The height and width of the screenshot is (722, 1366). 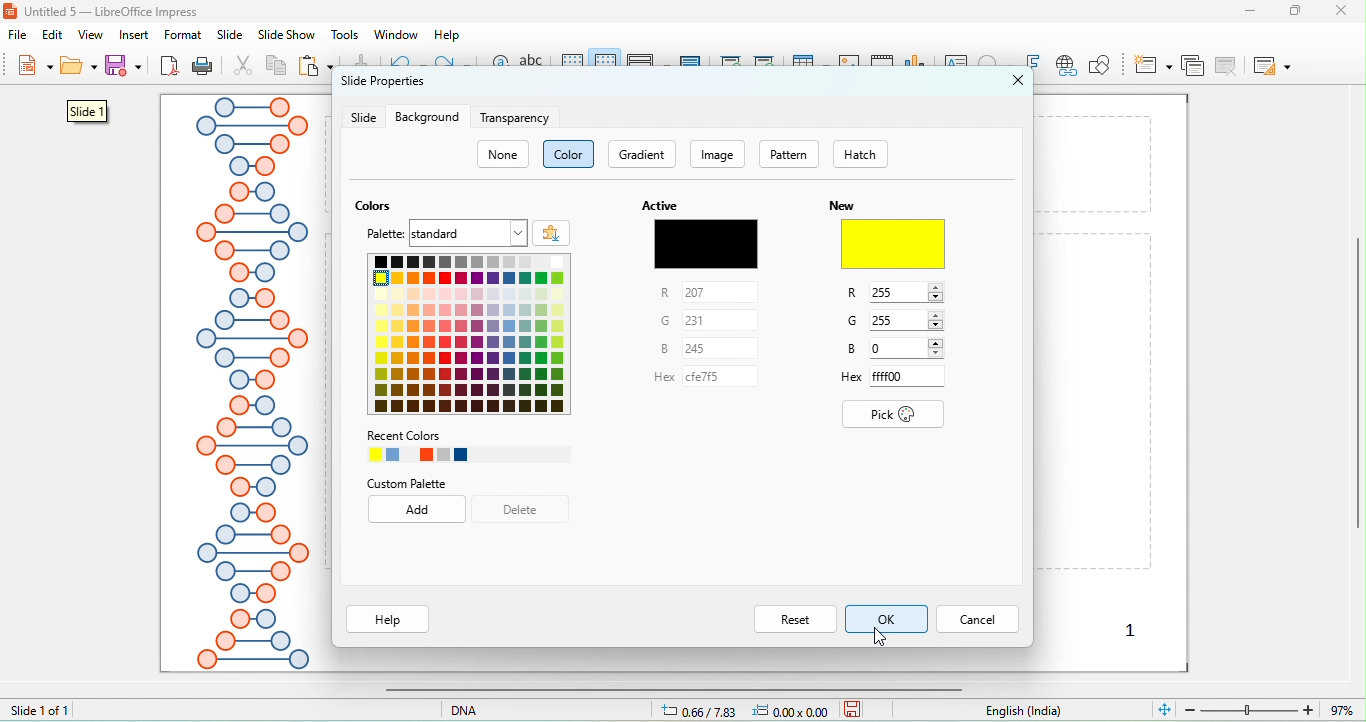 I want to click on spelling, so click(x=535, y=67).